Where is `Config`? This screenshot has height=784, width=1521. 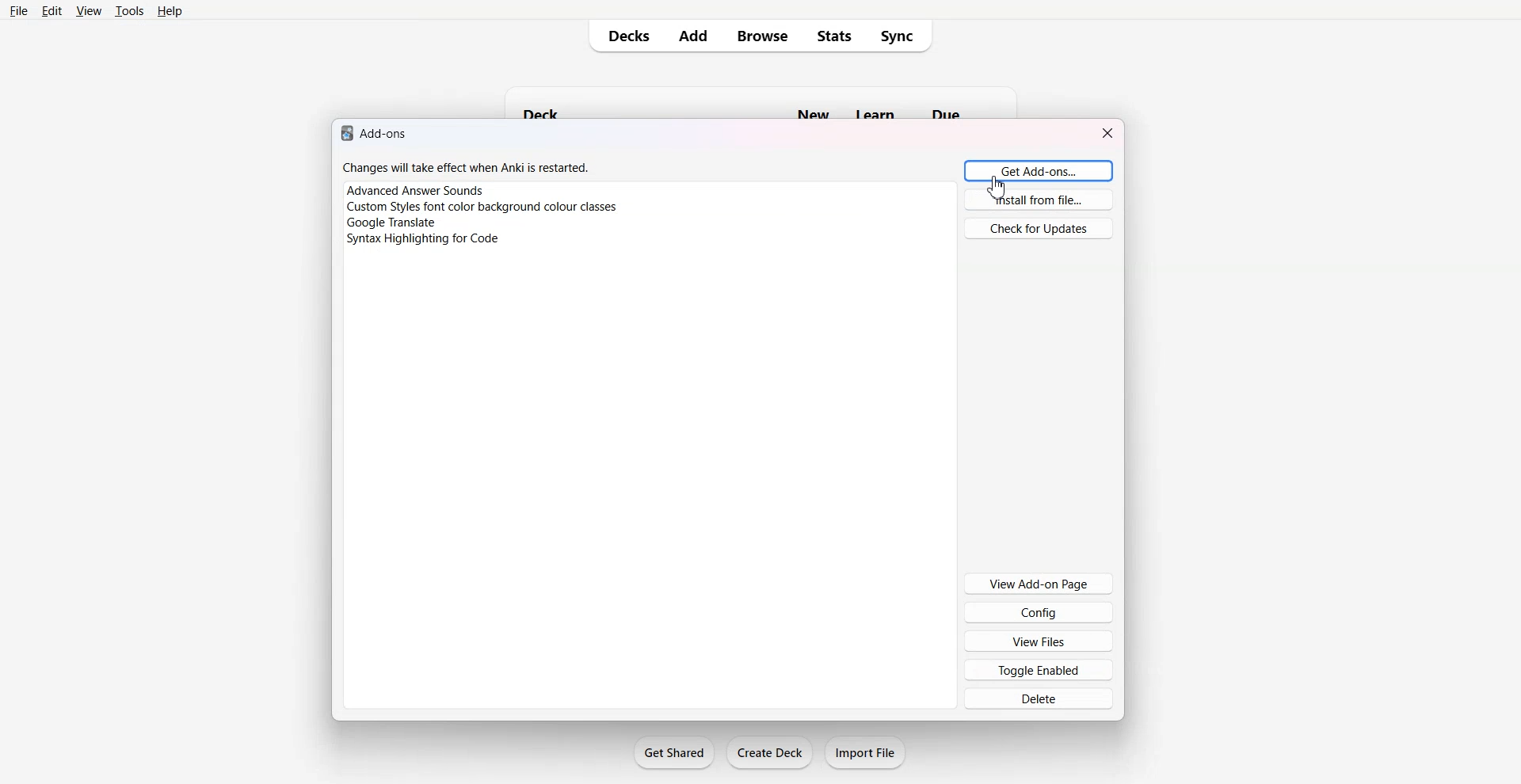 Config is located at coordinates (1039, 612).